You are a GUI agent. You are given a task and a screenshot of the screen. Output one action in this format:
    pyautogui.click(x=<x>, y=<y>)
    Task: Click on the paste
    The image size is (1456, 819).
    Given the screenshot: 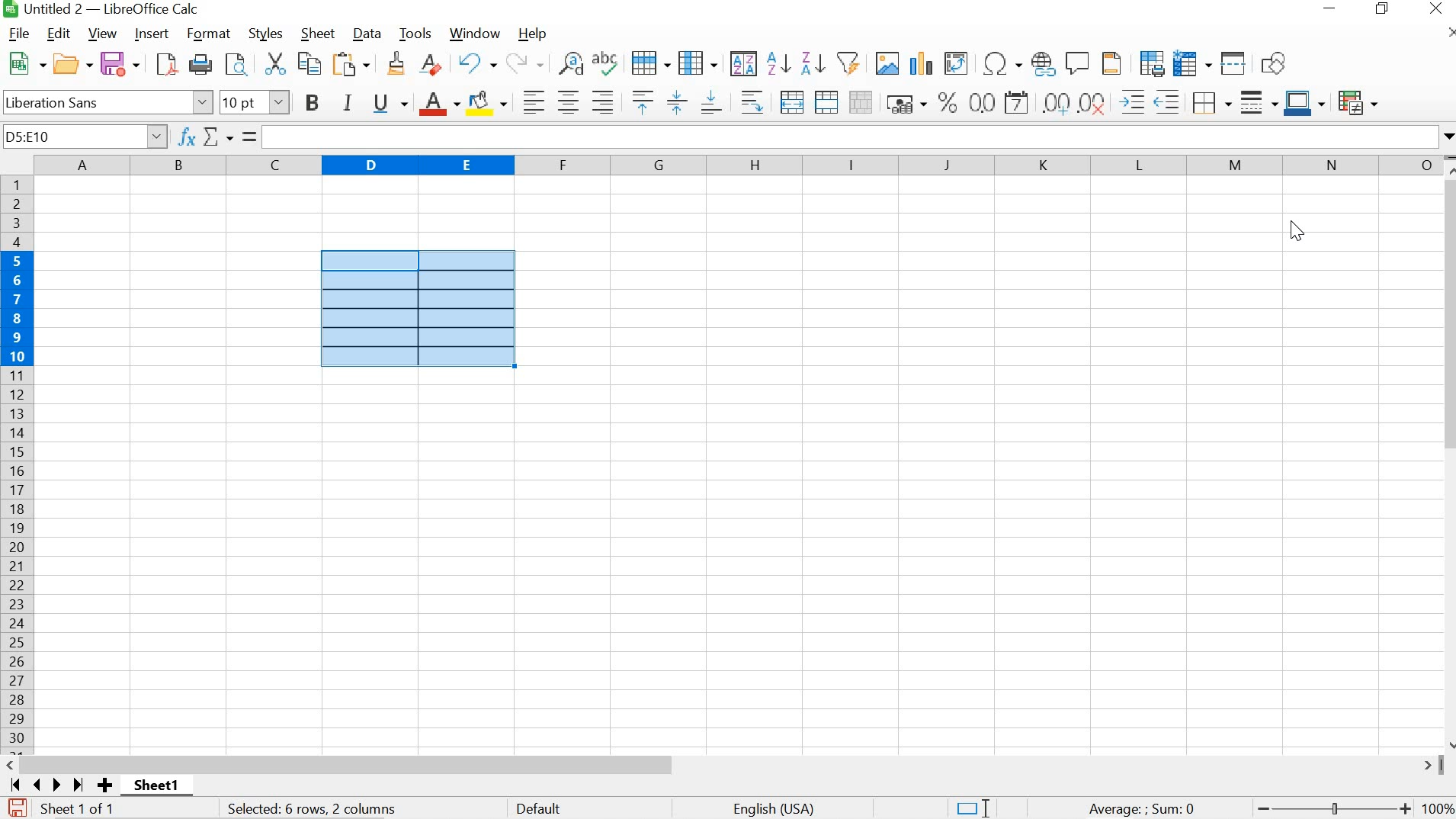 What is the action you would take?
    pyautogui.click(x=353, y=63)
    